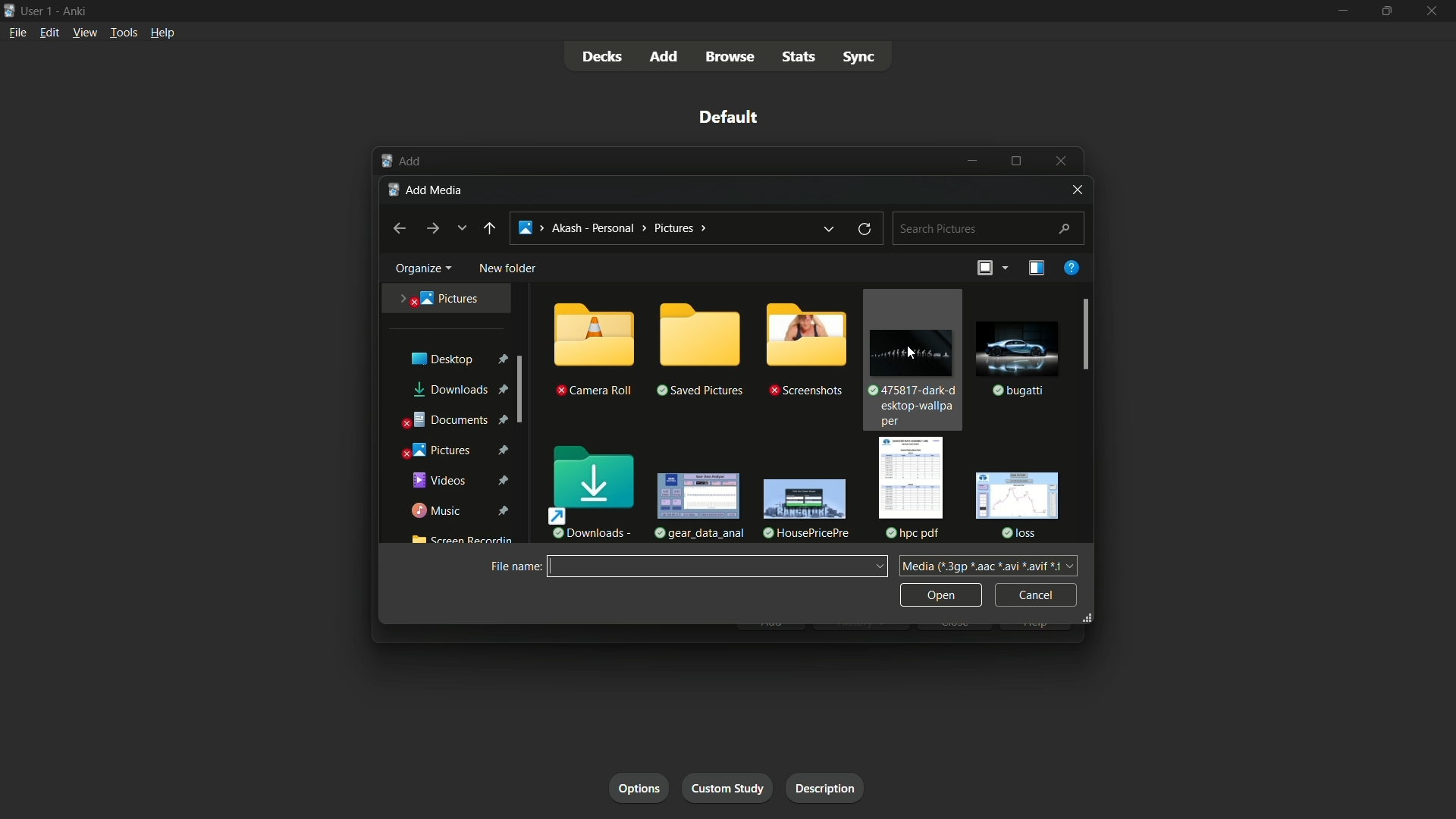  Describe the element at coordinates (1018, 162) in the screenshot. I see `Maximize` at that location.